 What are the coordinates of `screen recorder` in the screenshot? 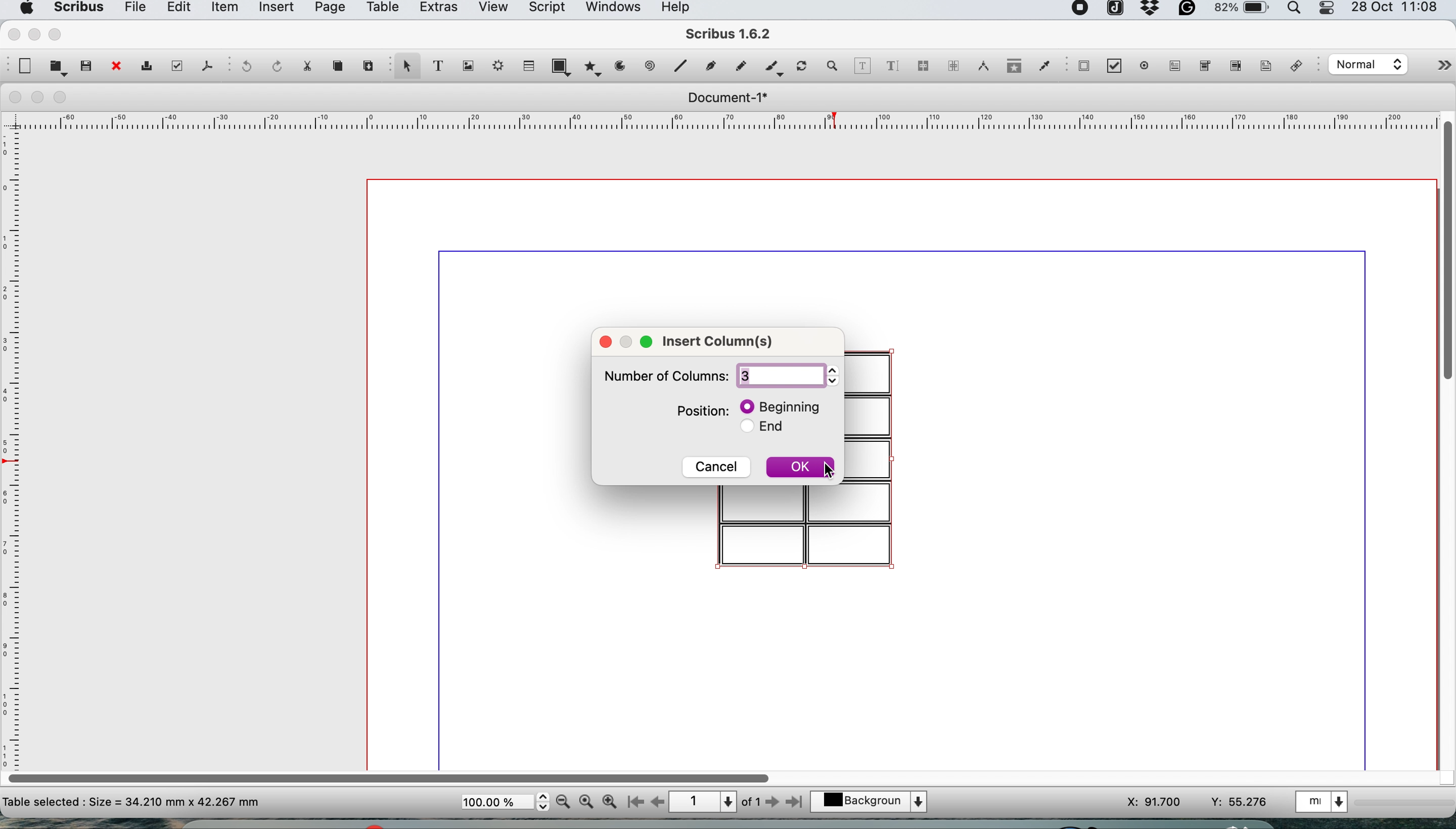 It's located at (1081, 10).